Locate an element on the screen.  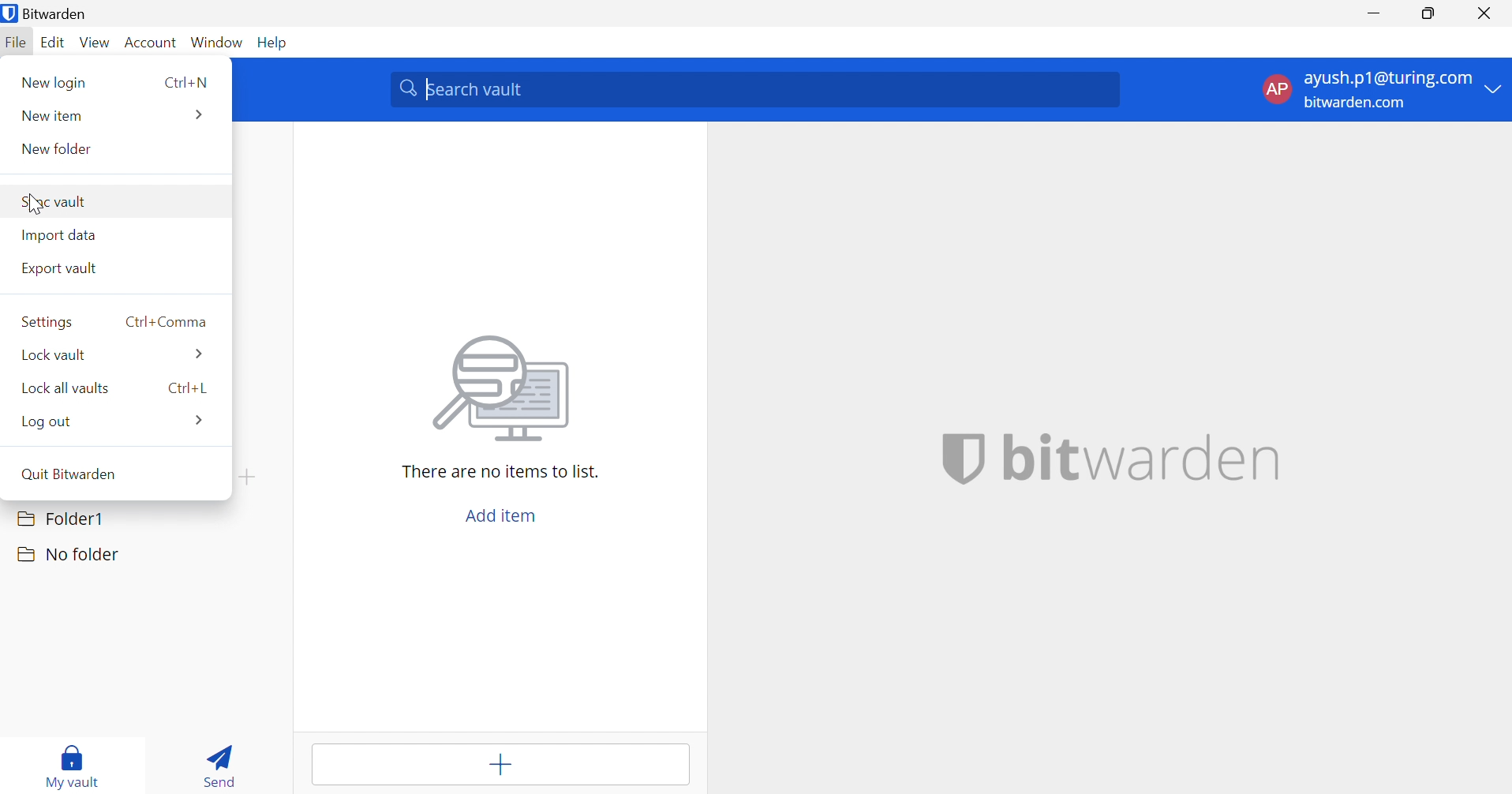
New item is located at coordinates (53, 118).